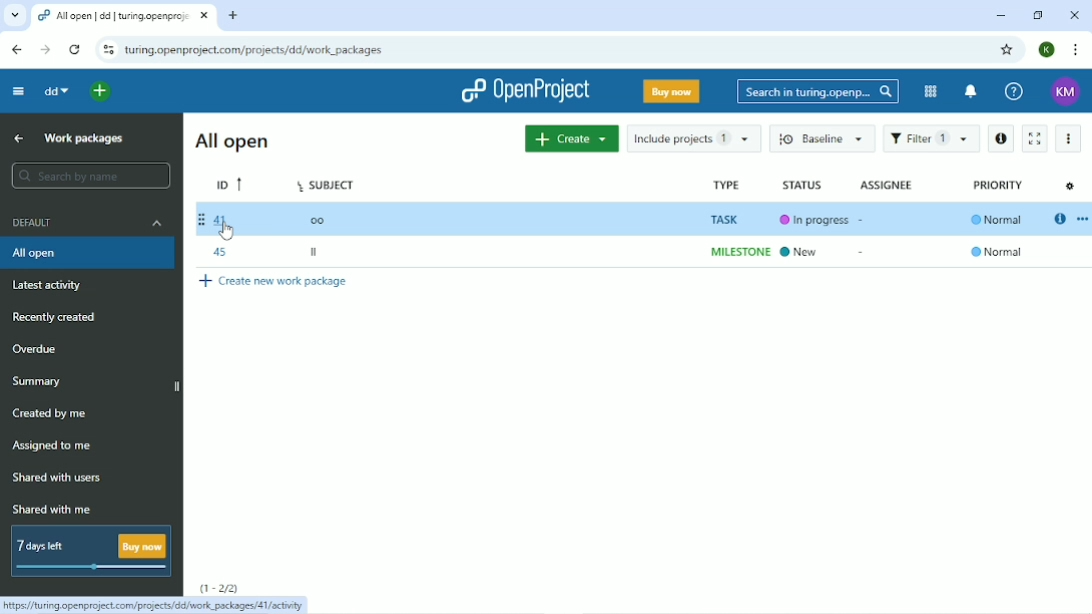 Image resolution: width=1092 pixels, height=614 pixels. Describe the element at coordinates (157, 605) in the screenshot. I see `Link` at that location.